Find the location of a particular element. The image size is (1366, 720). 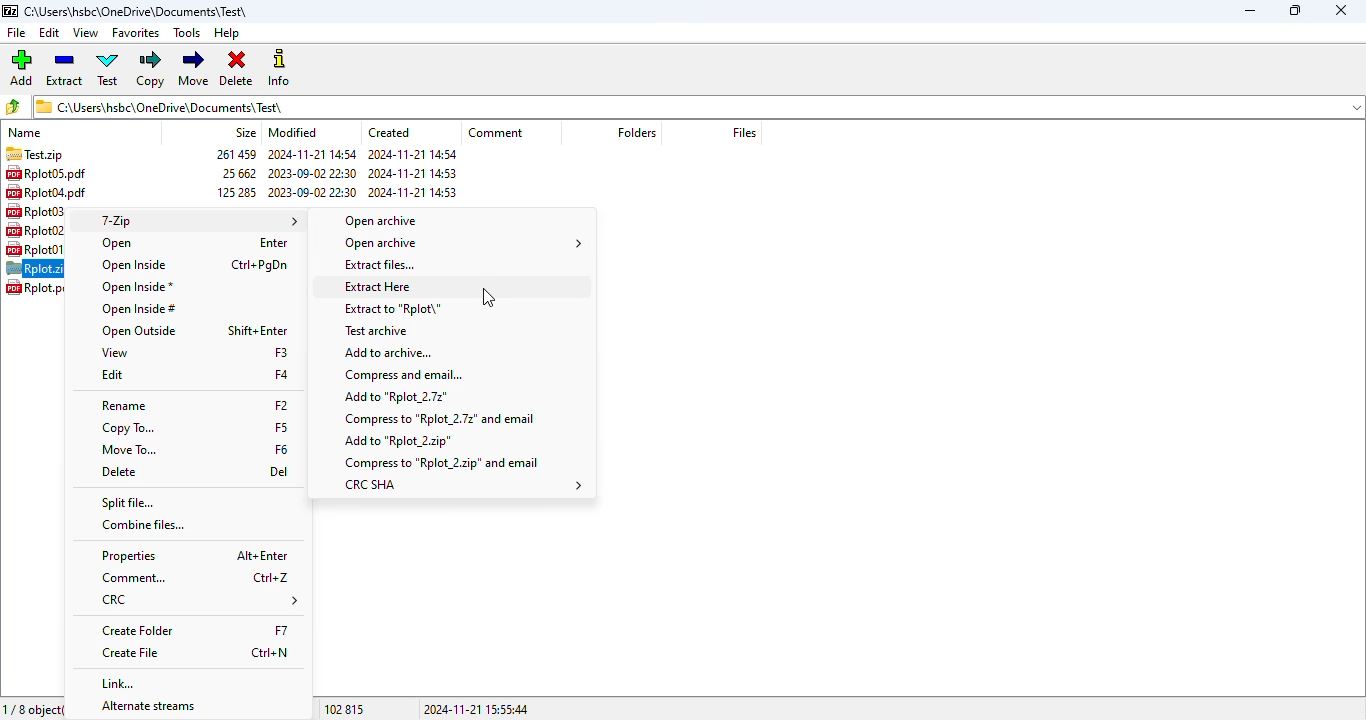

size is located at coordinates (234, 174).